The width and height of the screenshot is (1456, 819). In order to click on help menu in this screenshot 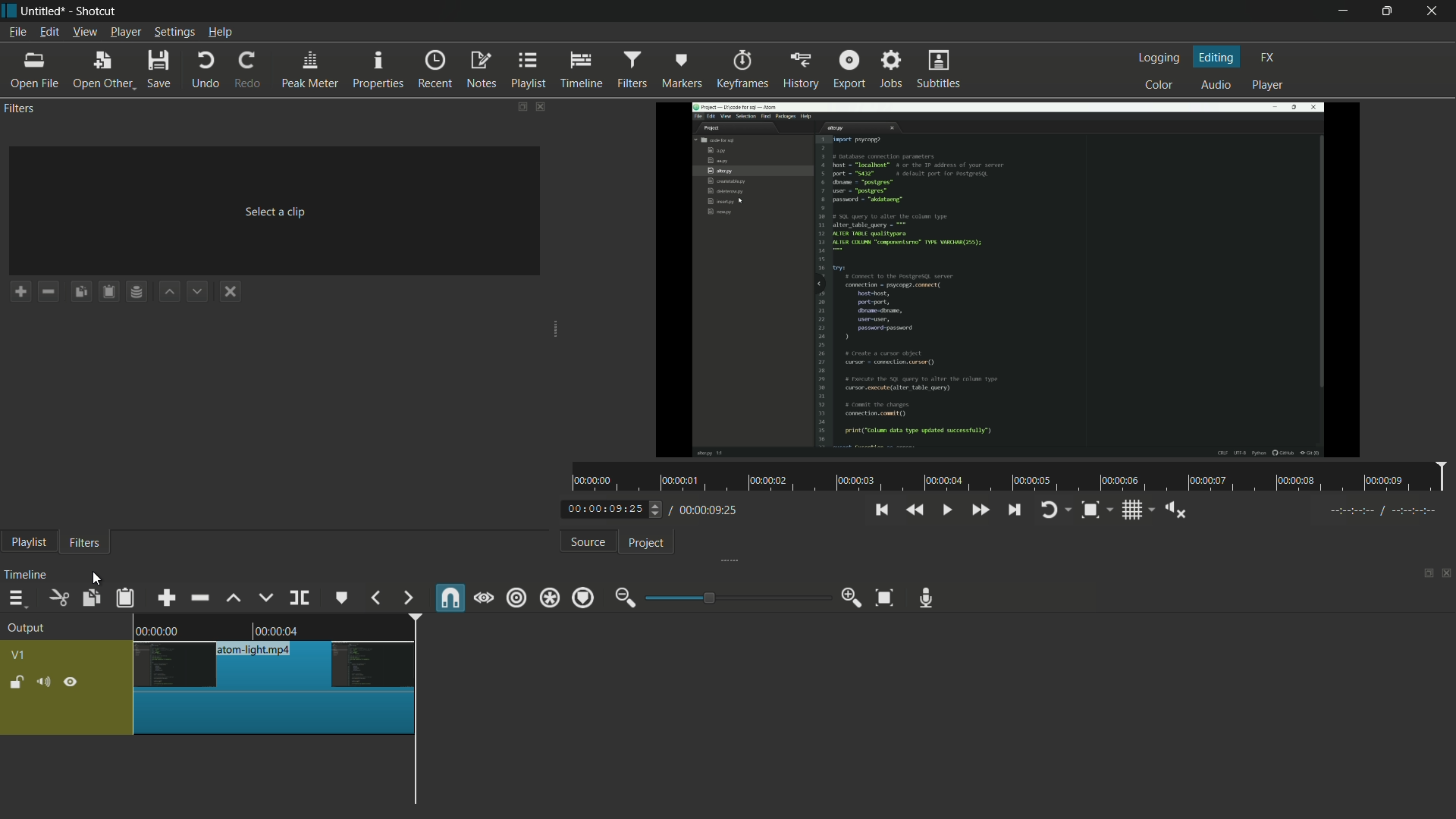, I will do `click(220, 33)`.